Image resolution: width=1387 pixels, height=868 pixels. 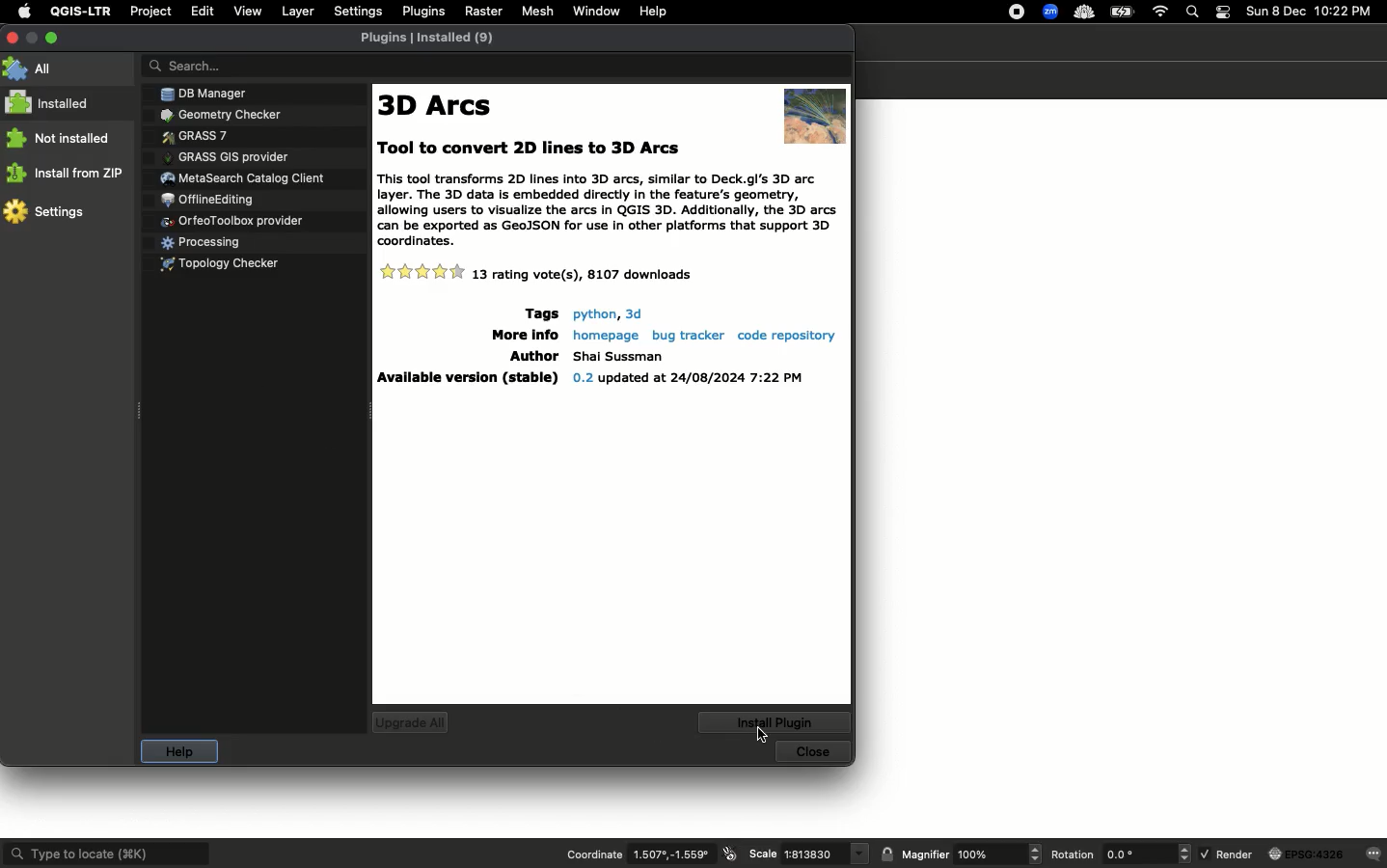 I want to click on Search, so click(x=1193, y=12).